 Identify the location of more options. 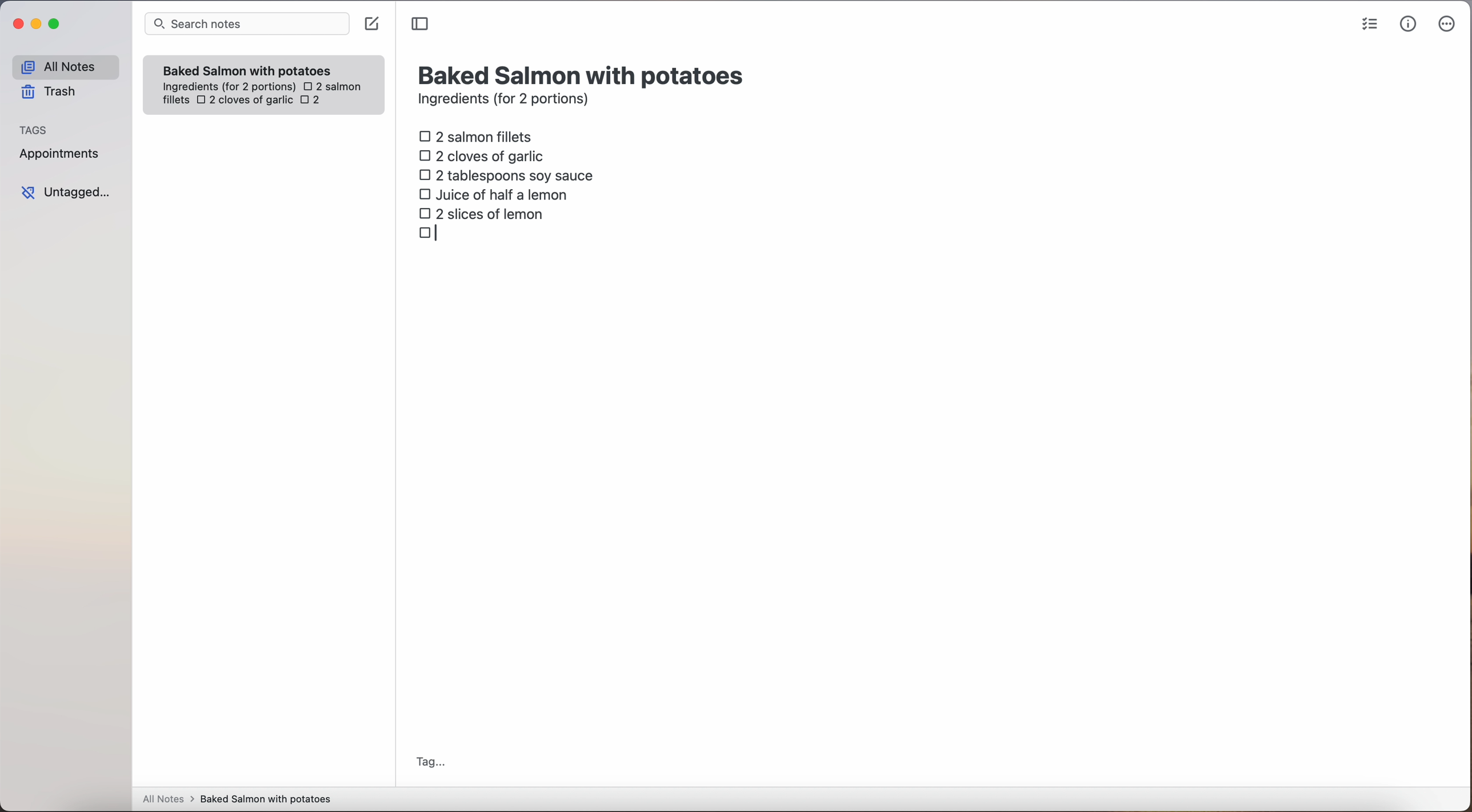
(1449, 25).